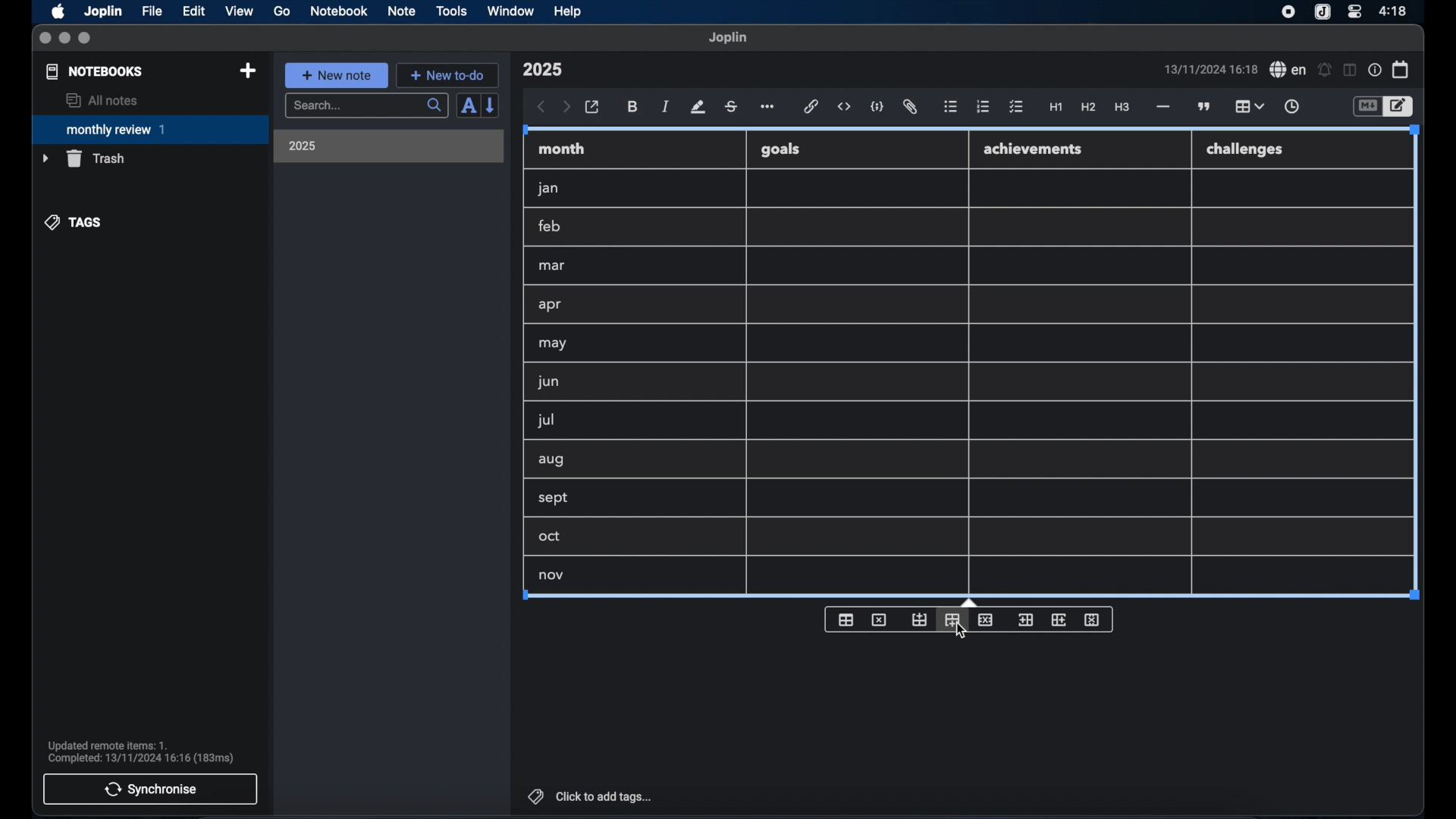 This screenshot has height=819, width=1456. Describe the element at coordinates (1325, 71) in the screenshot. I see `set alarm` at that location.